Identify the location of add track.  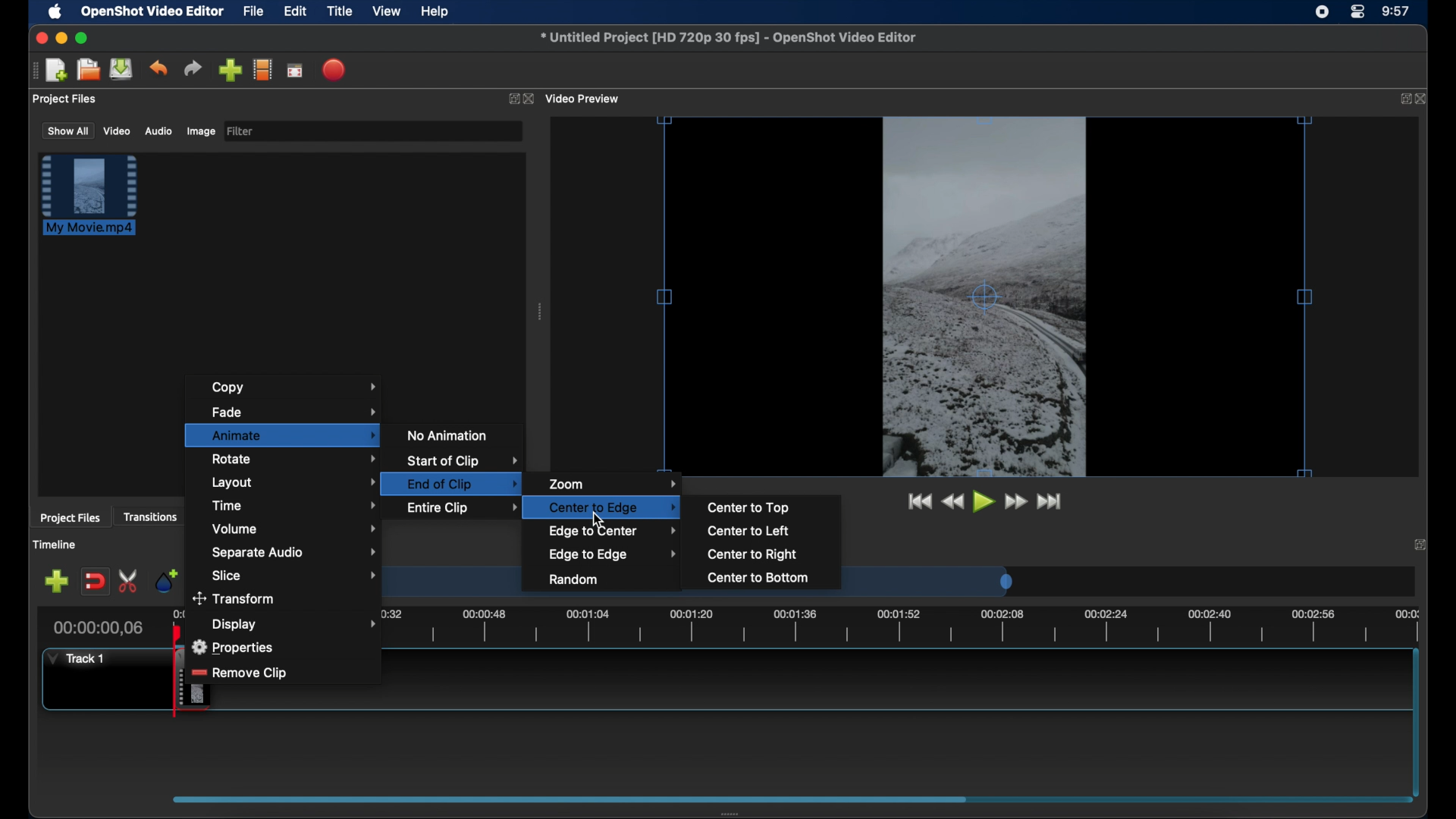
(56, 582).